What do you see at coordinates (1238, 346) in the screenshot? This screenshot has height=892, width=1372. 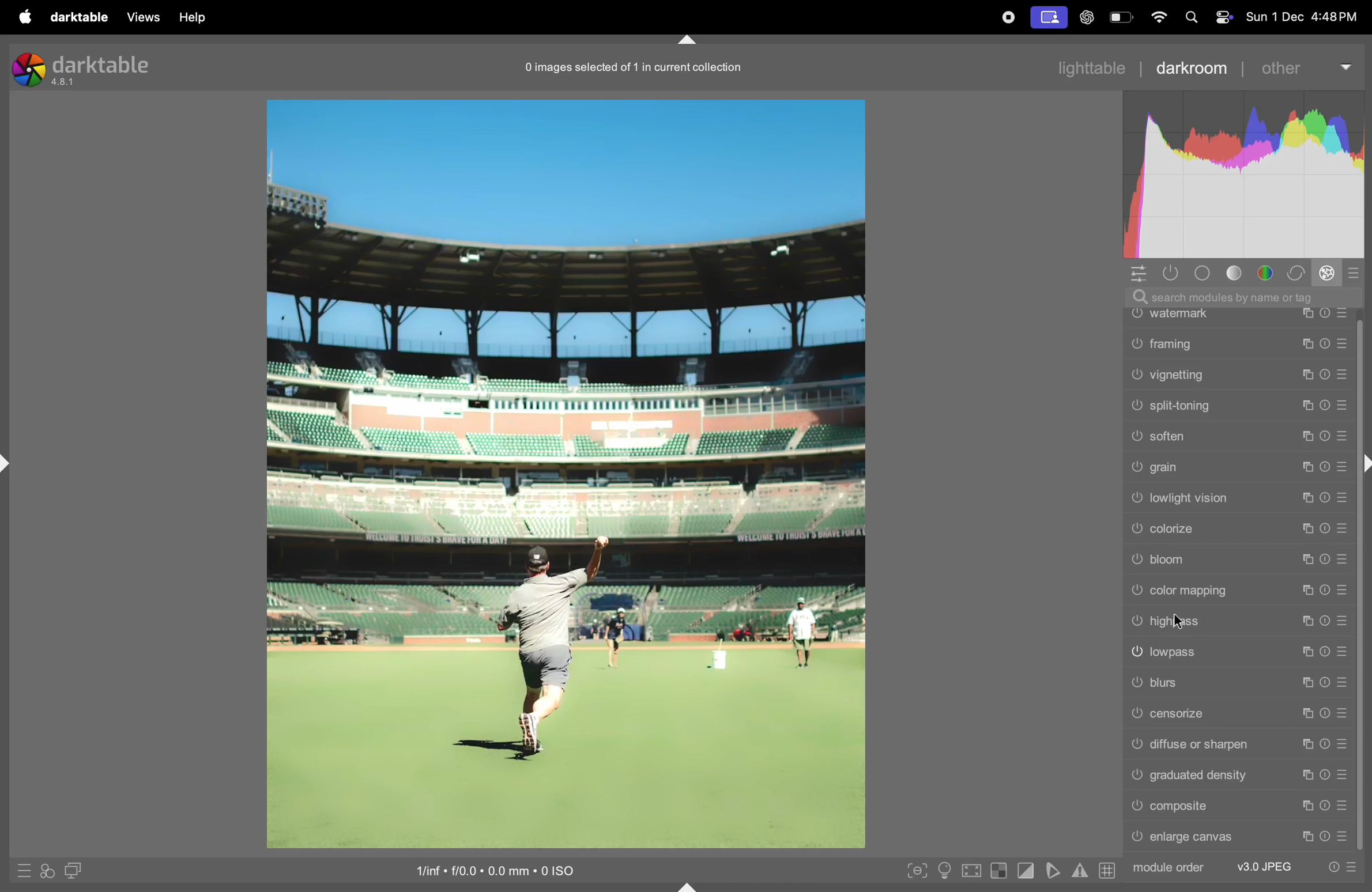 I see `farming` at bounding box center [1238, 346].